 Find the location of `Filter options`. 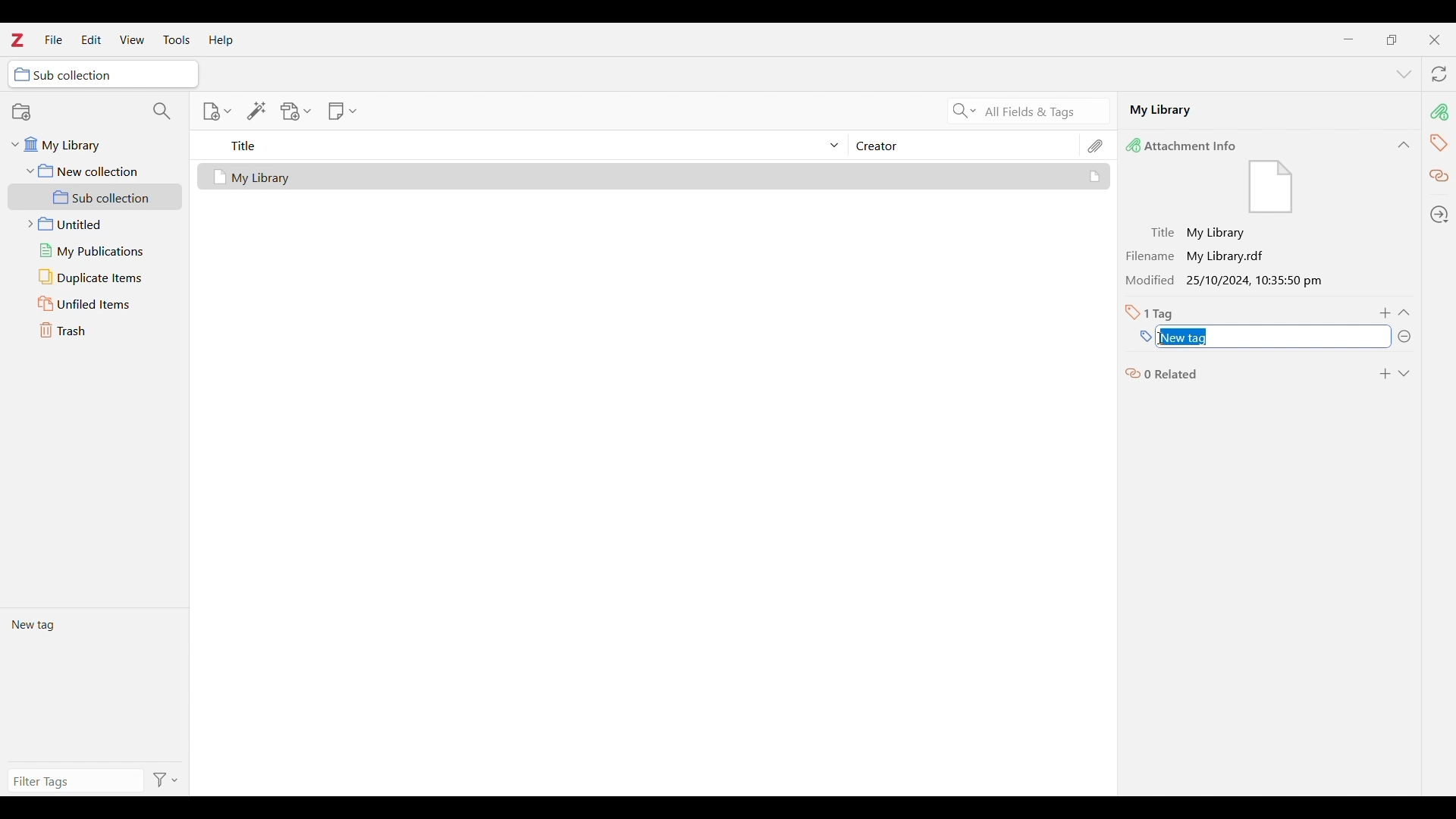

Filter options is located at coordinates (166, 781).